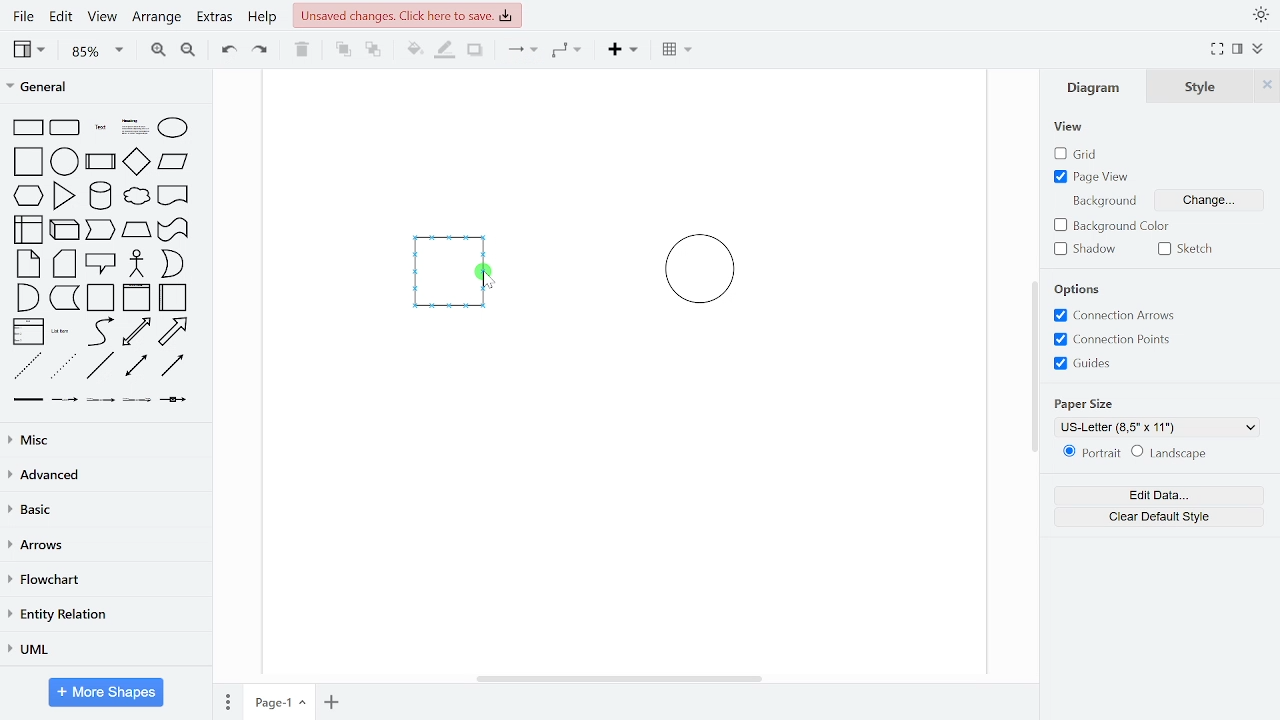 The height and width of the screenshot is (720, 1280). Describe the element at coordinates (572, 50) in the screenshot. I see `waypoints` at that location.